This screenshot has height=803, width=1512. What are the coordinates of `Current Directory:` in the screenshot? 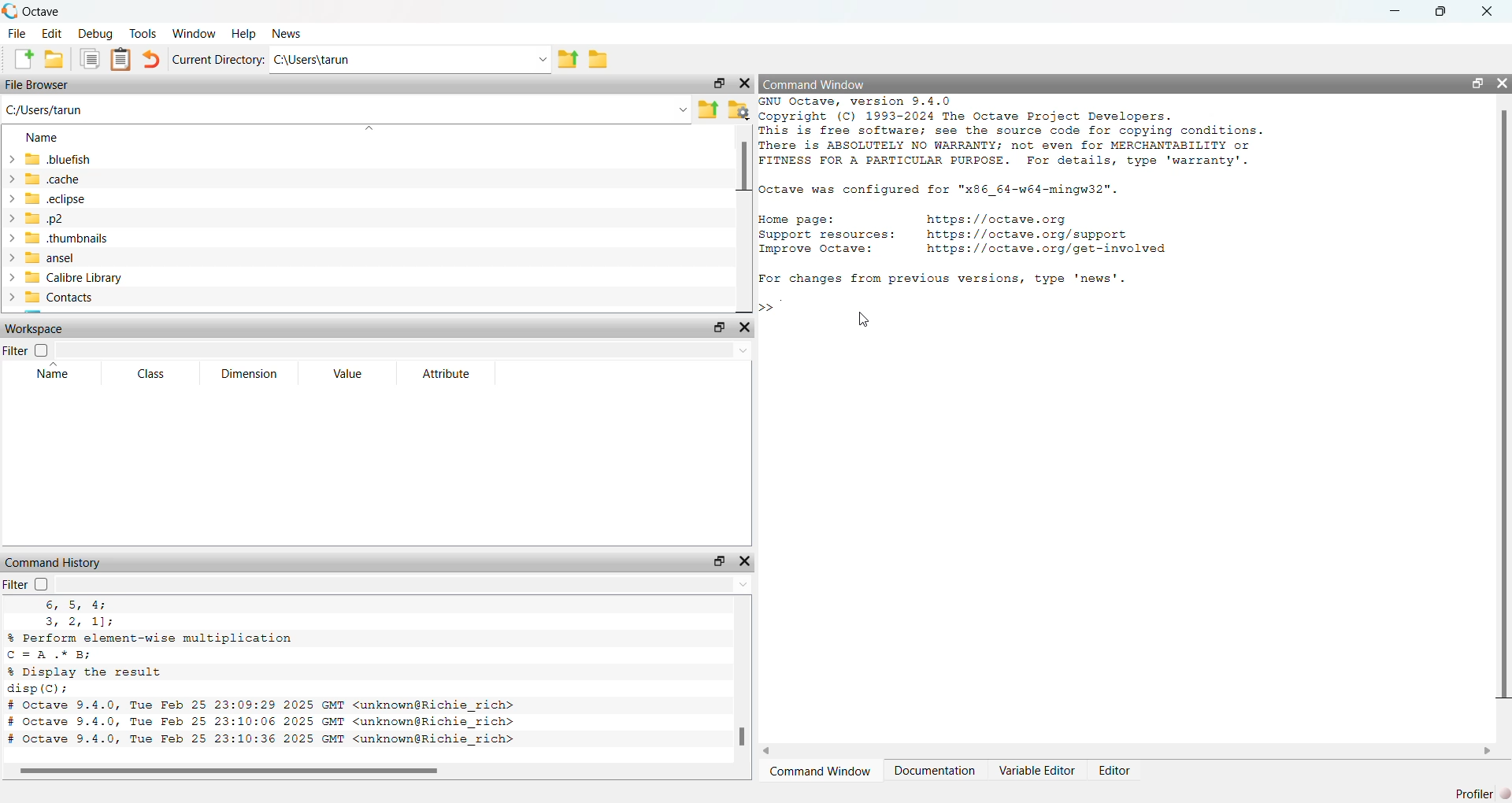 It's located at (220, 61).